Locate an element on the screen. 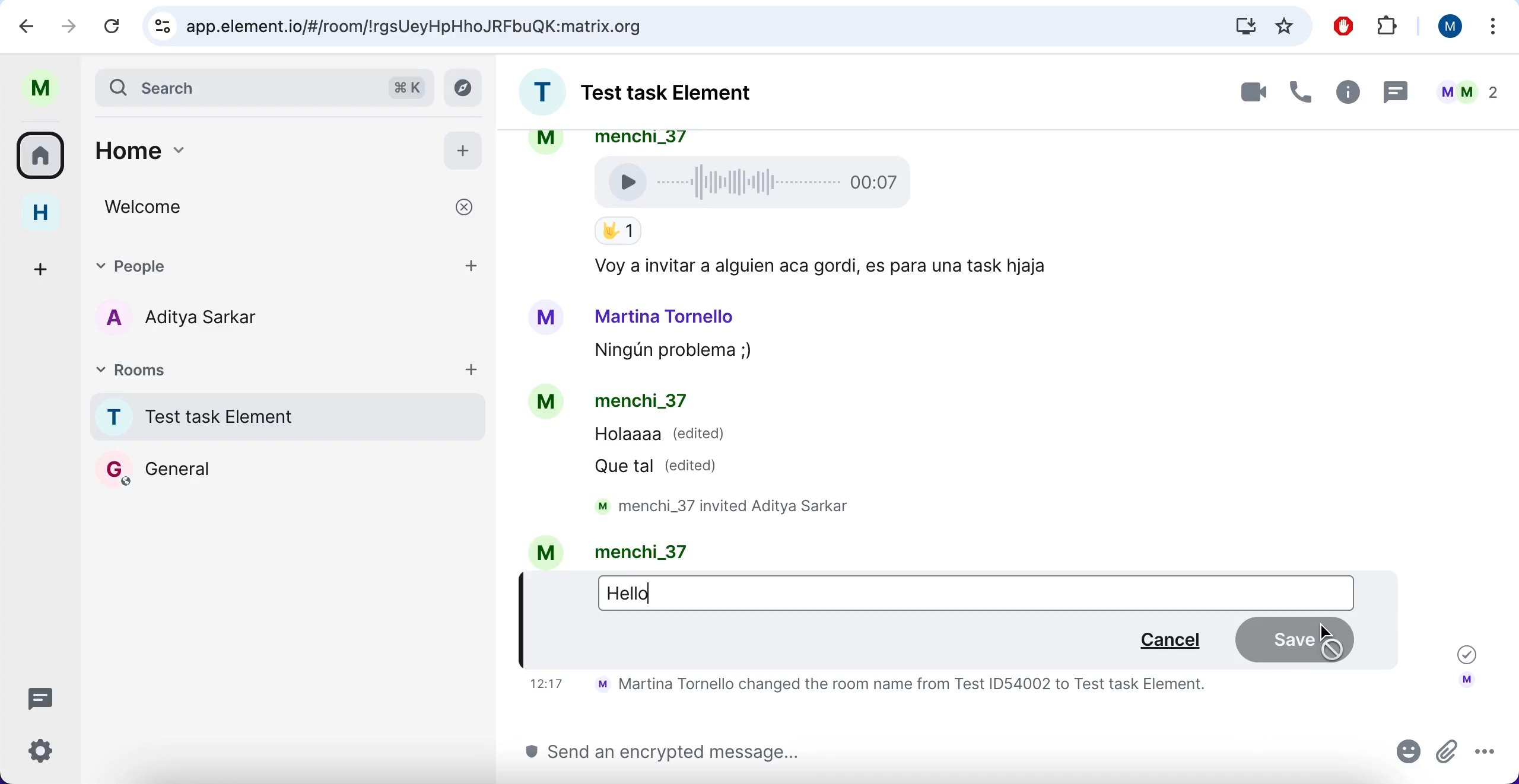  add is located at coordinates (475, 264).